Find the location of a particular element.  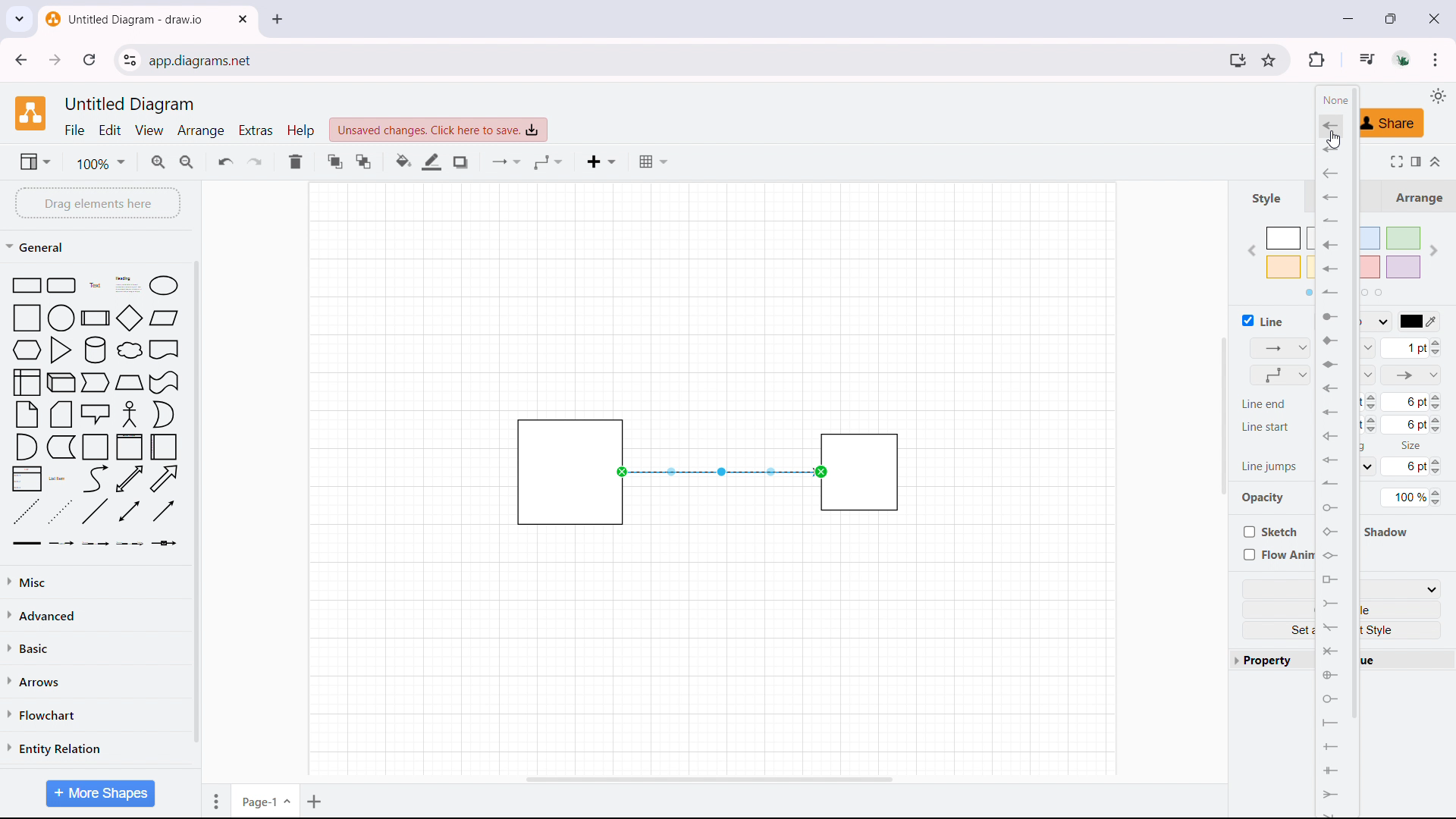

extras is located at coordinates (256, 130).